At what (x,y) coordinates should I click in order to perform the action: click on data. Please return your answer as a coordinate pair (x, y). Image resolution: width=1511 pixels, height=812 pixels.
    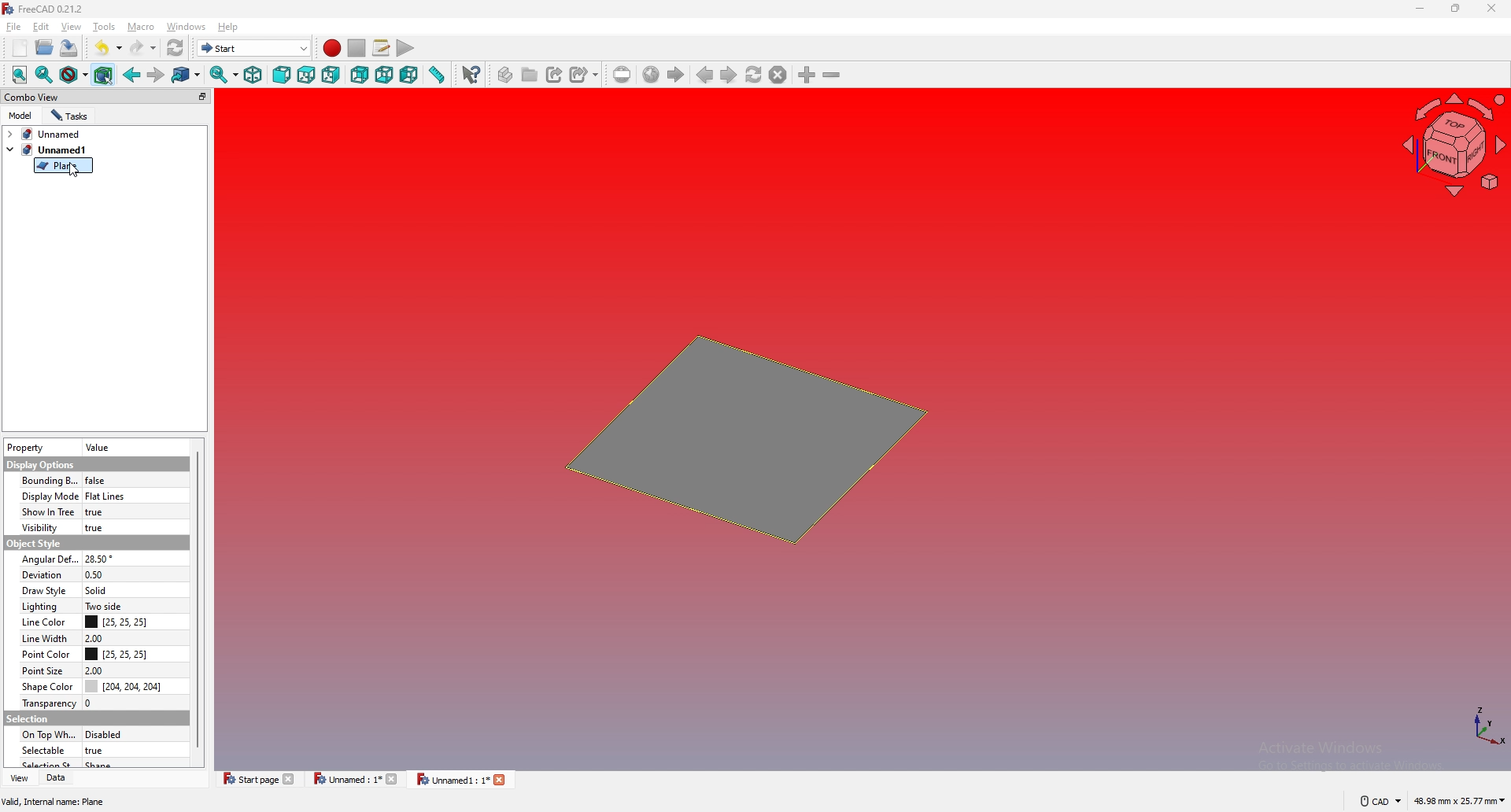
    Looking at the image, I should click on (59, 778).